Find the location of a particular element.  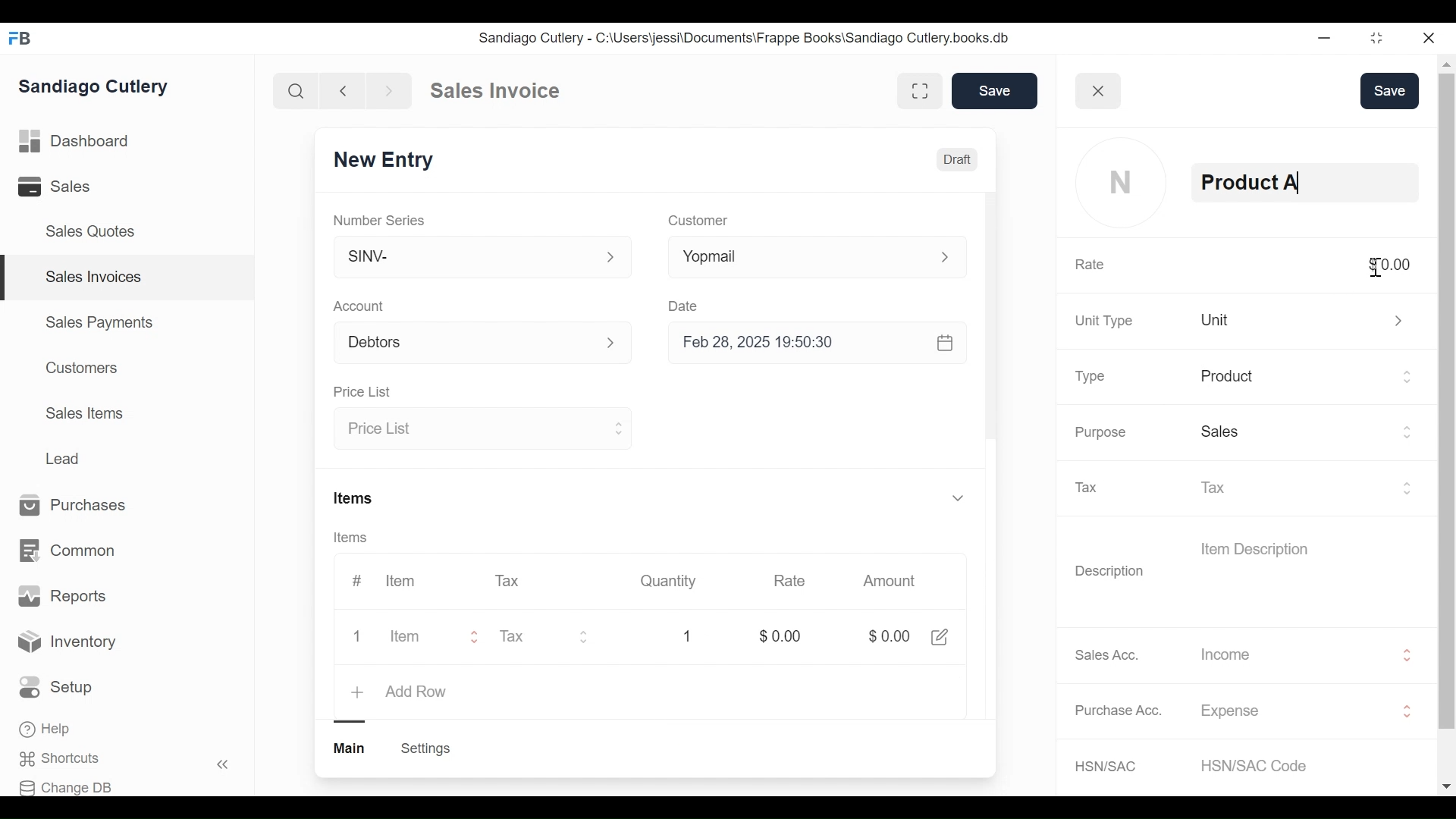

backward is located at coordinates (344, 90).